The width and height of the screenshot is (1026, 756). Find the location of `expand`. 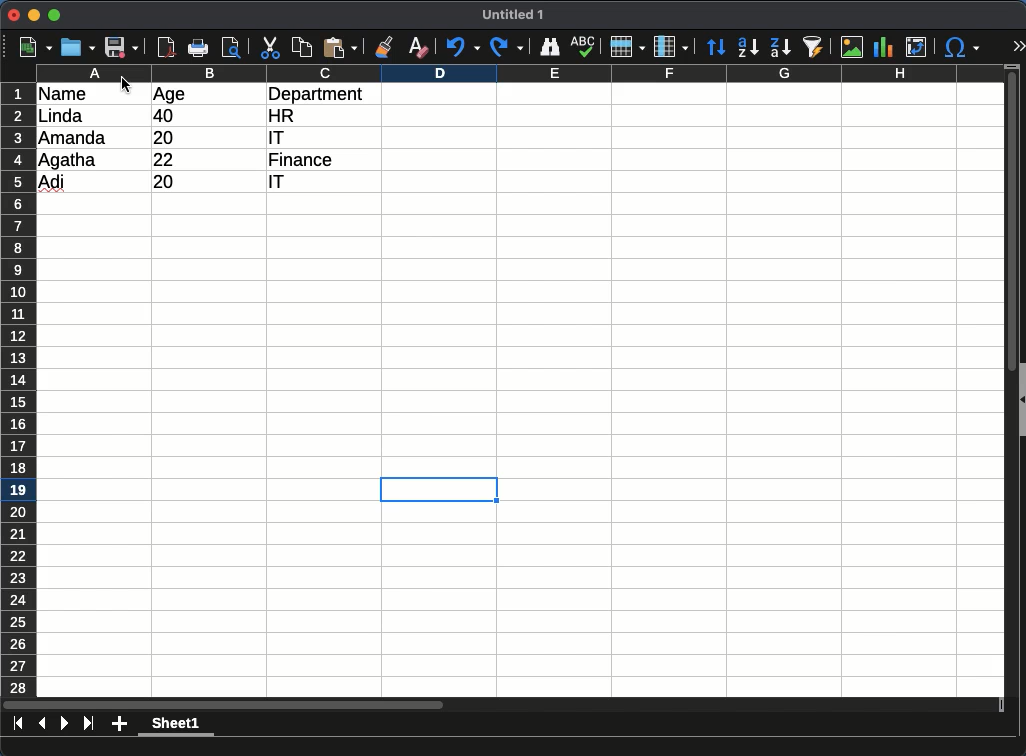

expand is located at coordinates (1018, 48).